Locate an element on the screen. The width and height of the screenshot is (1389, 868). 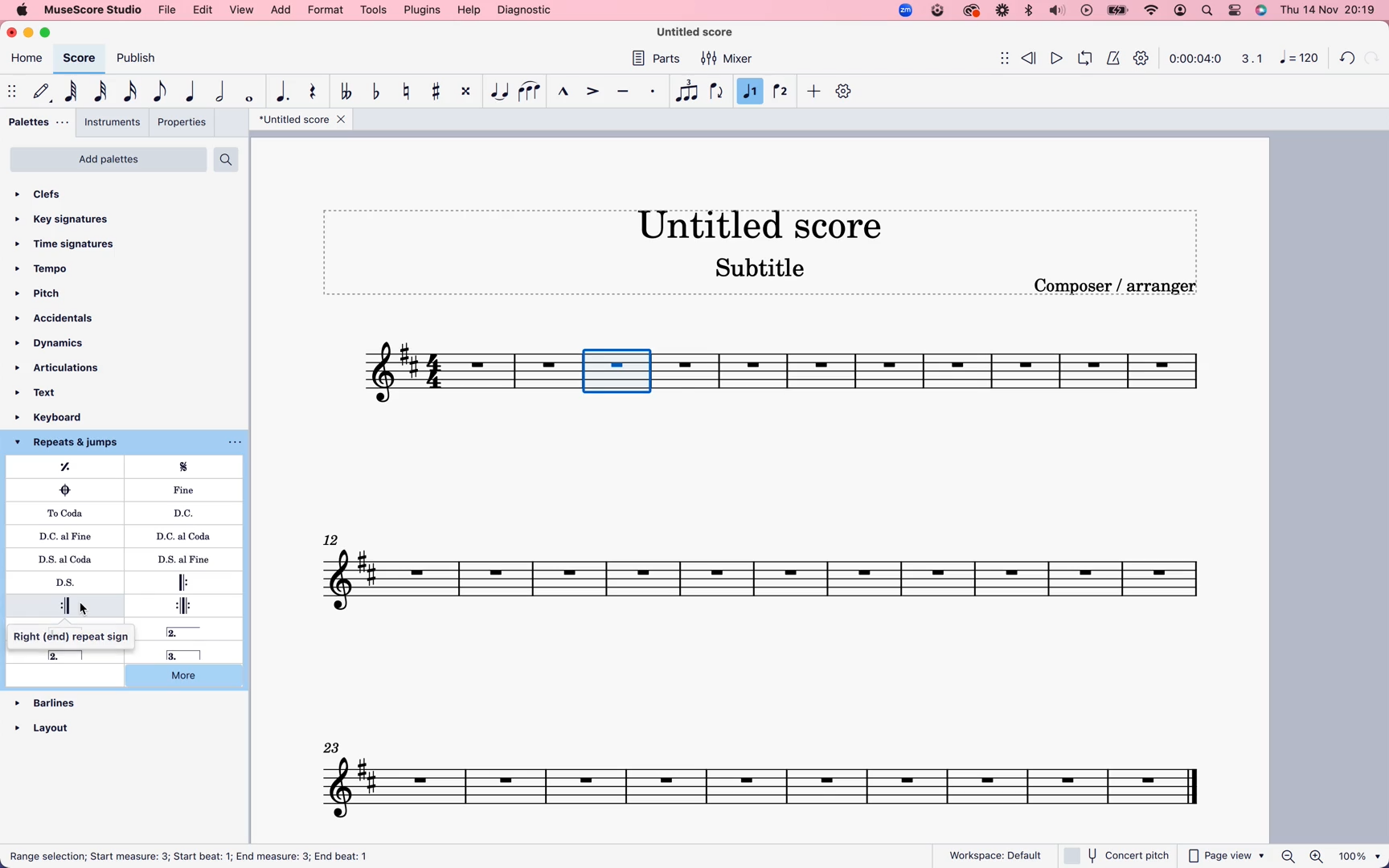
move is located at coordinates (997, 57).